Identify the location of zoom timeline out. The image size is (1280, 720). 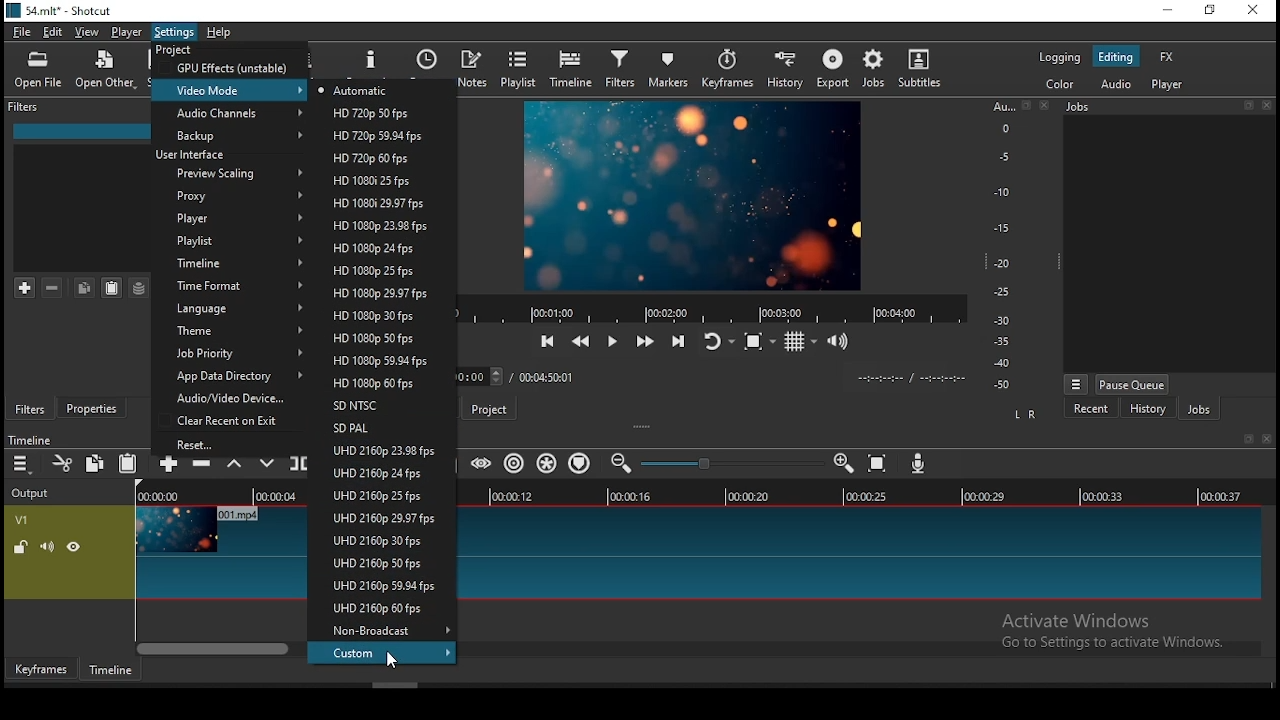
(846, 463).